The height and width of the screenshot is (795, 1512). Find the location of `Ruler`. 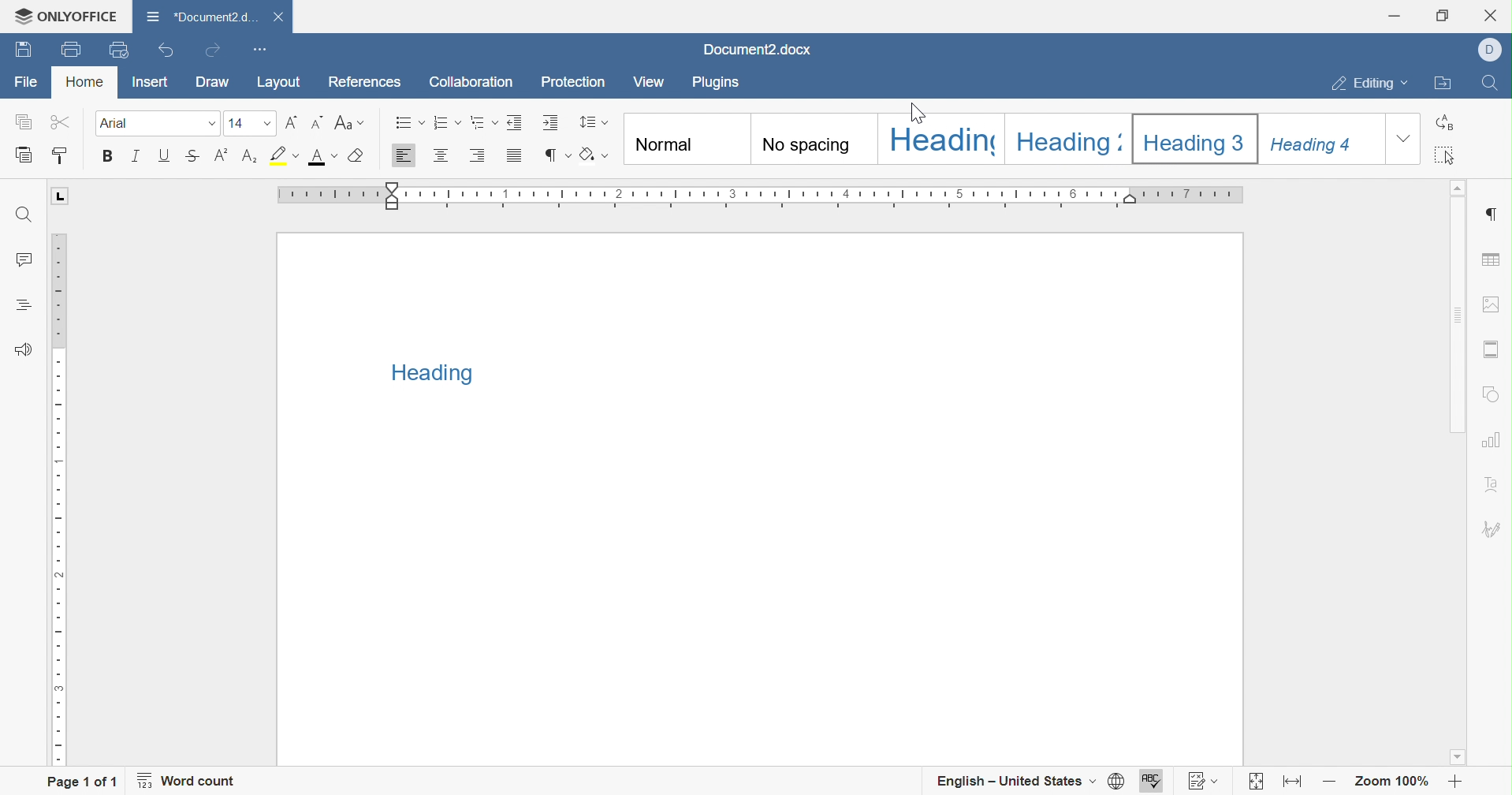

Ruler is located at coordinates (765, 193).